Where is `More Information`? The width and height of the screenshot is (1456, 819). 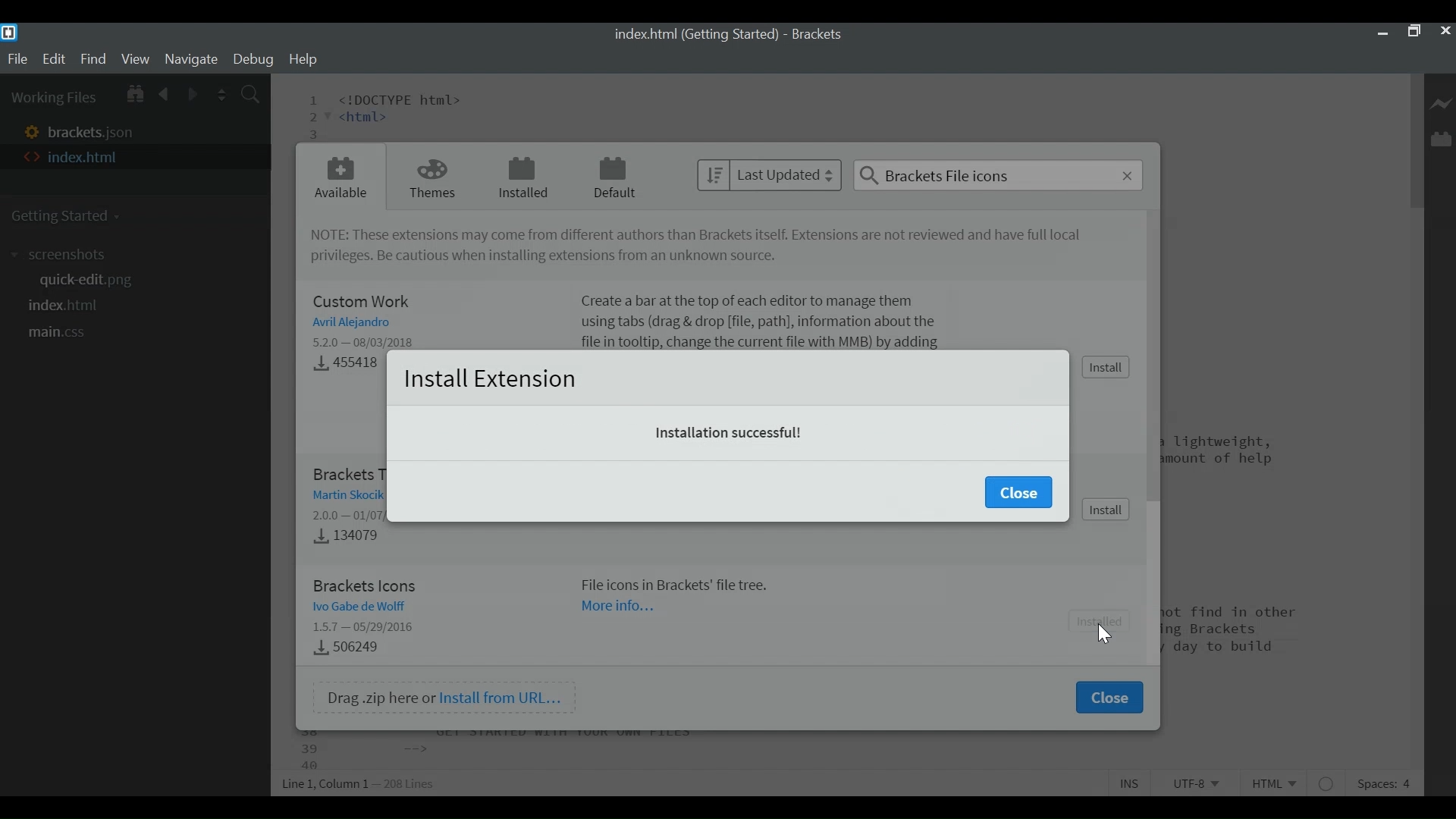 More Information is located at coordinates (621, 610).